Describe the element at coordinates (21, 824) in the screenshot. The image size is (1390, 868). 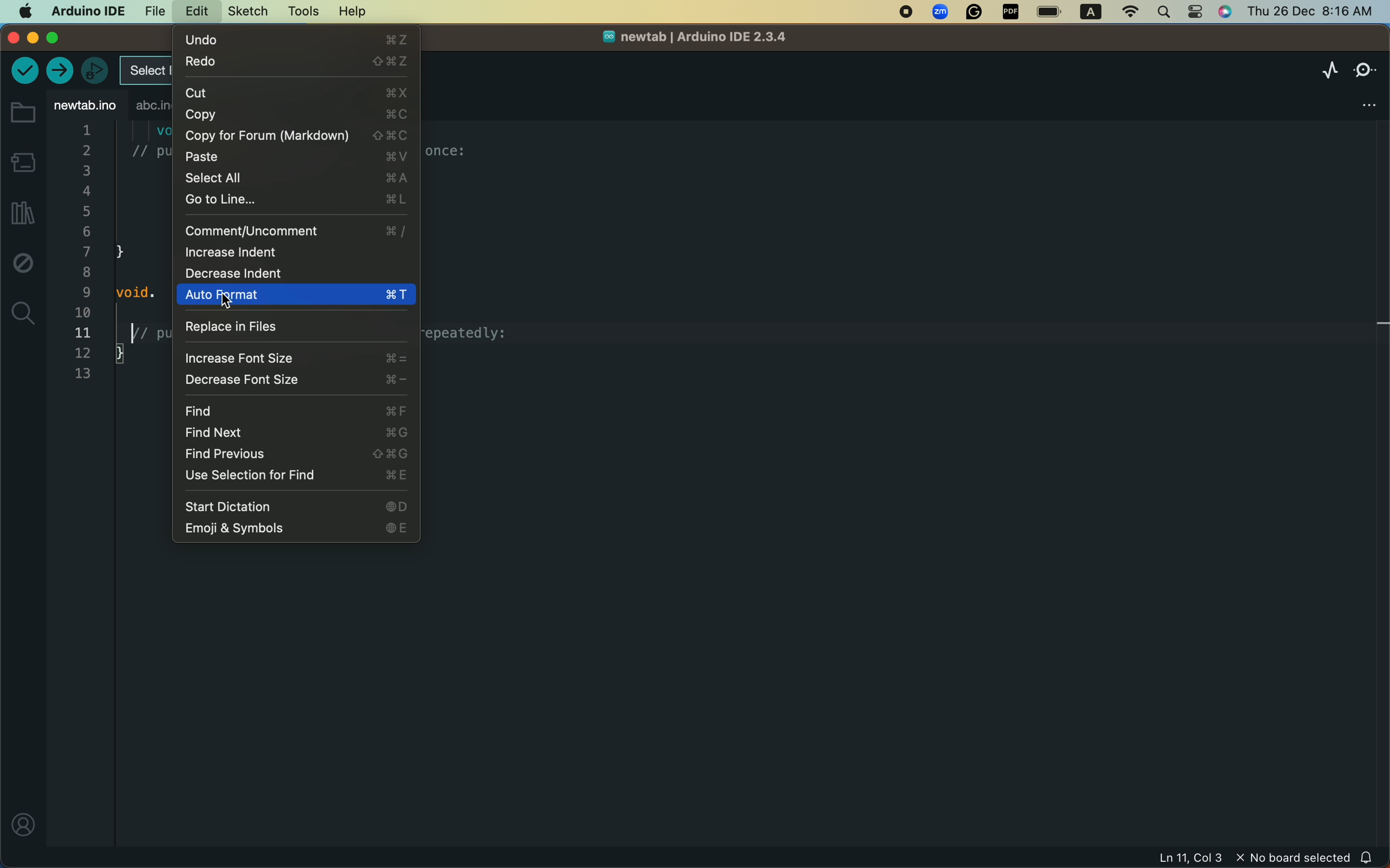
I see `profile` at that location.